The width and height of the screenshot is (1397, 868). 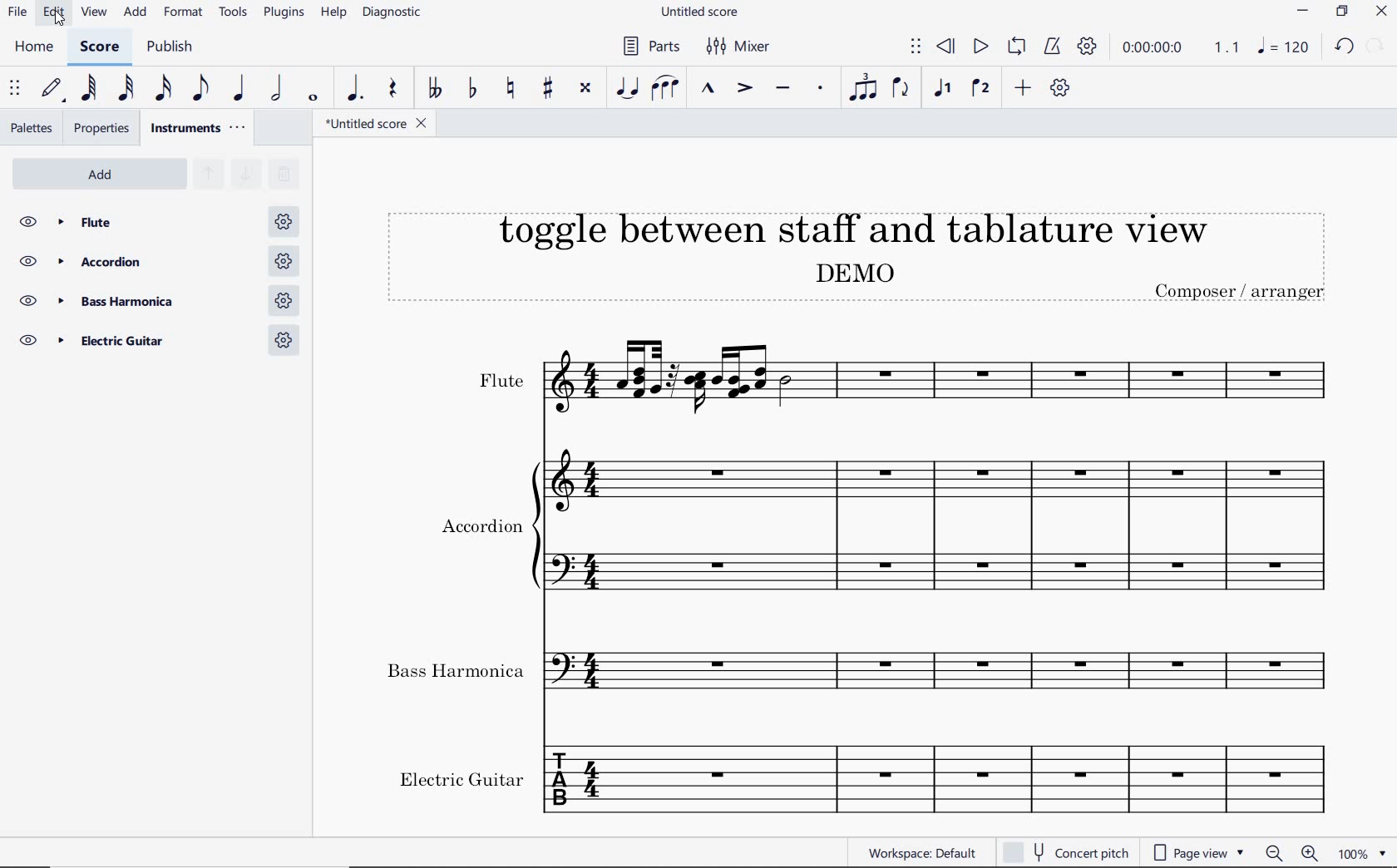 I want to click on select to move, so click(x=17, y=89).